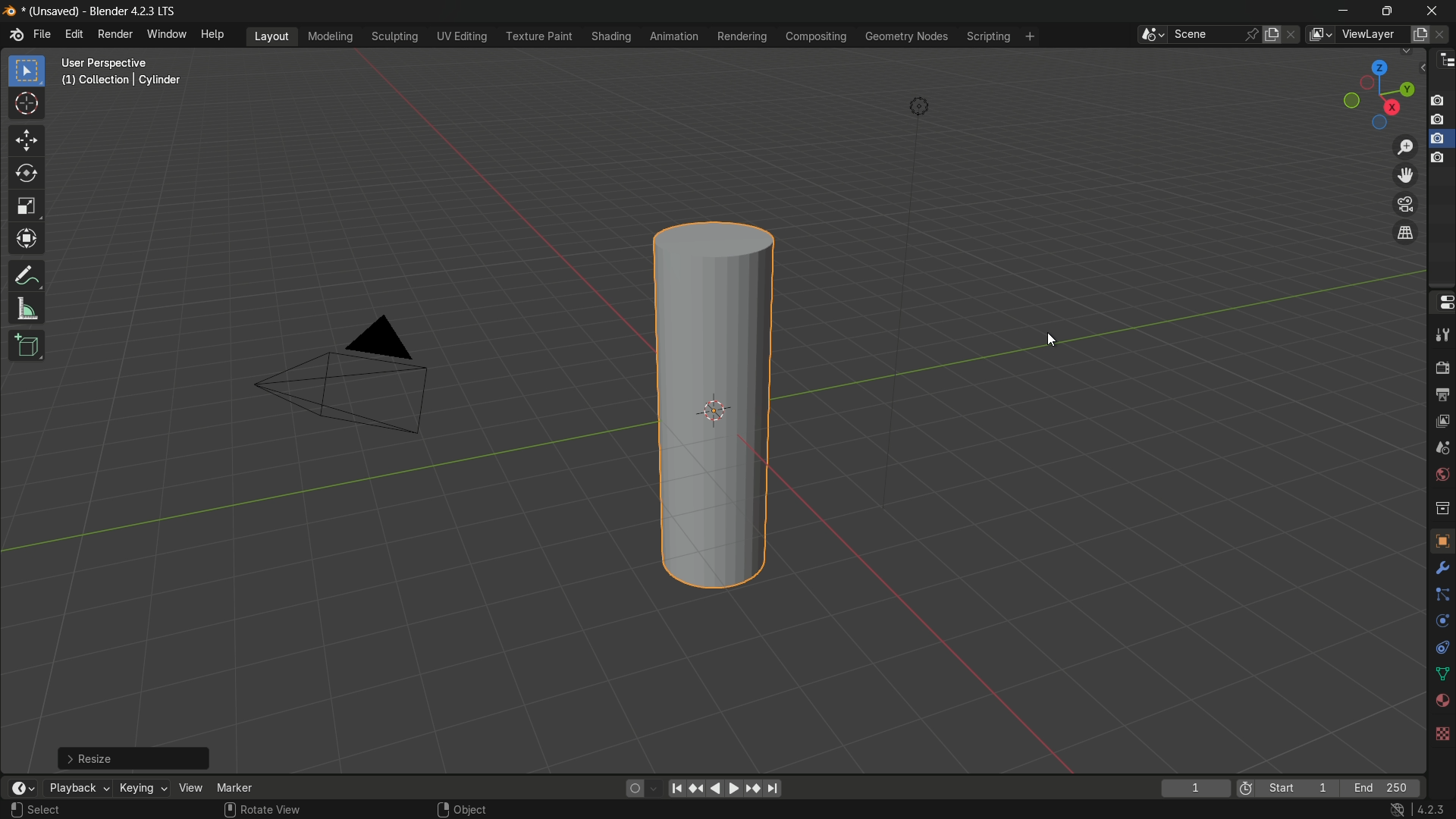 The width and height of the screenshot is (1456, 819). What do you see at coordinates (168, 36) in the screenshot?
I see `window menu` at bounding box center [168, 36].